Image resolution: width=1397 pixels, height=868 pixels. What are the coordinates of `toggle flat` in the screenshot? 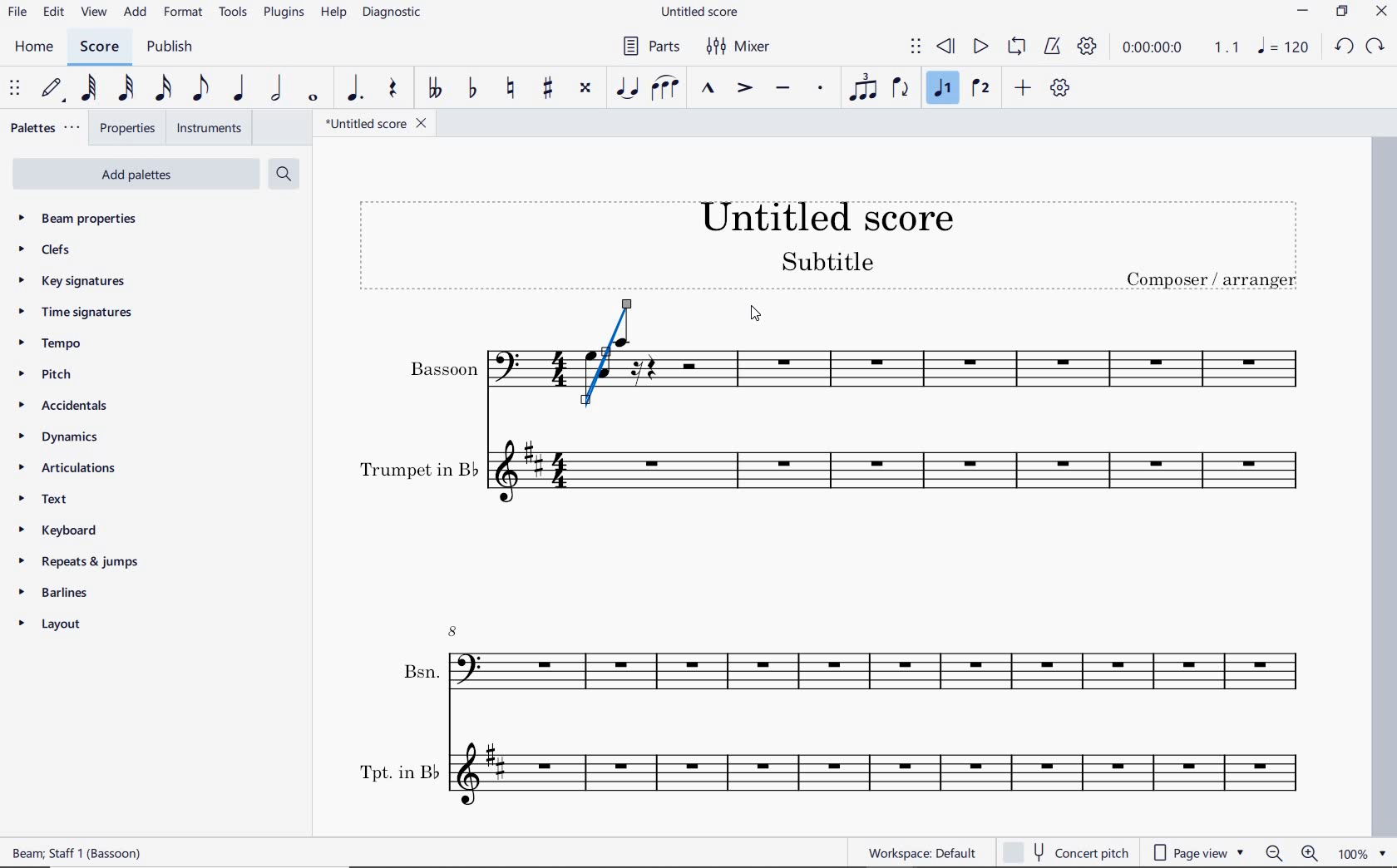 It's located at (474, 87).